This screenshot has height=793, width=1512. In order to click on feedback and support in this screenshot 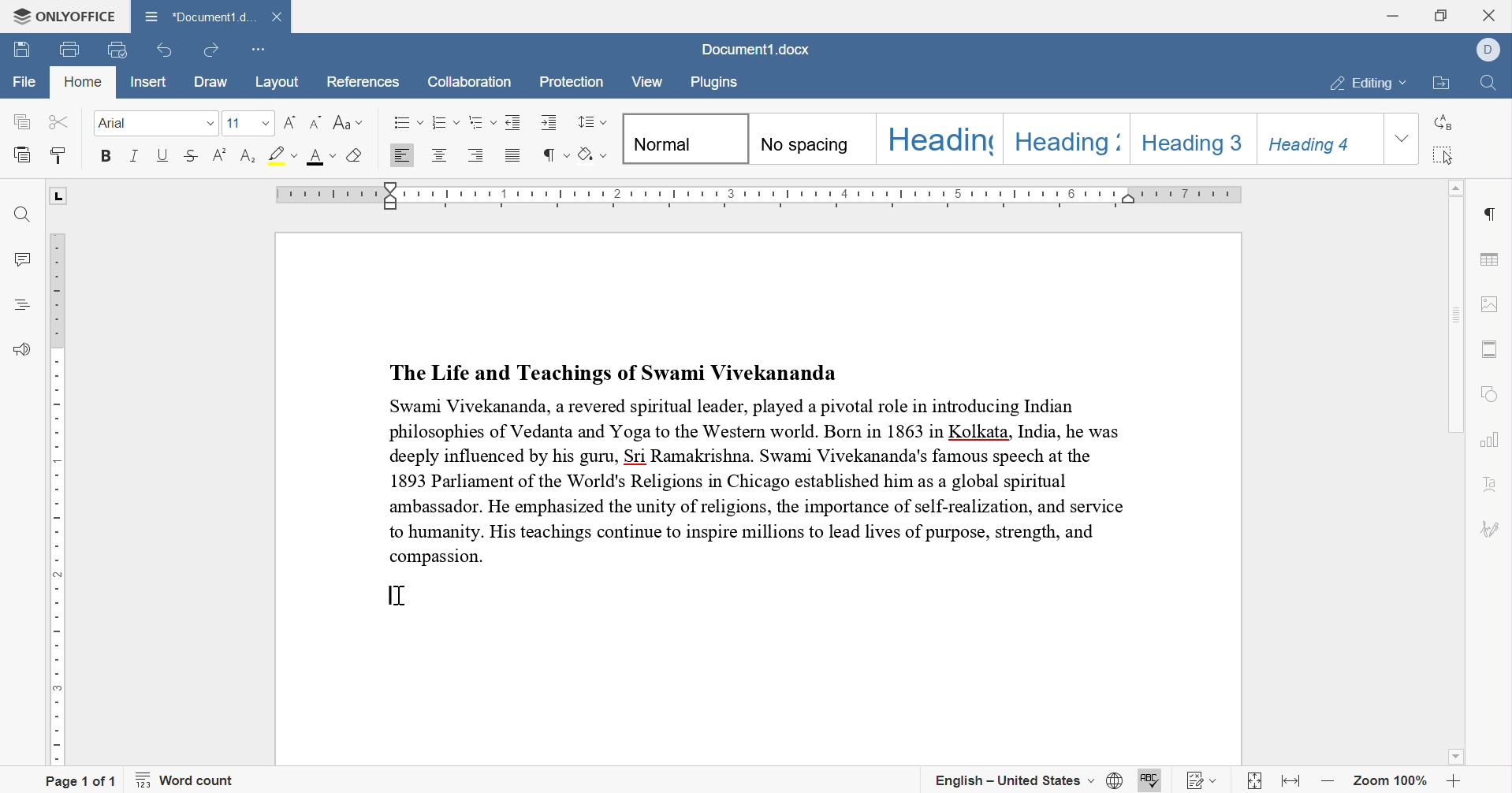, I will do `click(24, 351)`.